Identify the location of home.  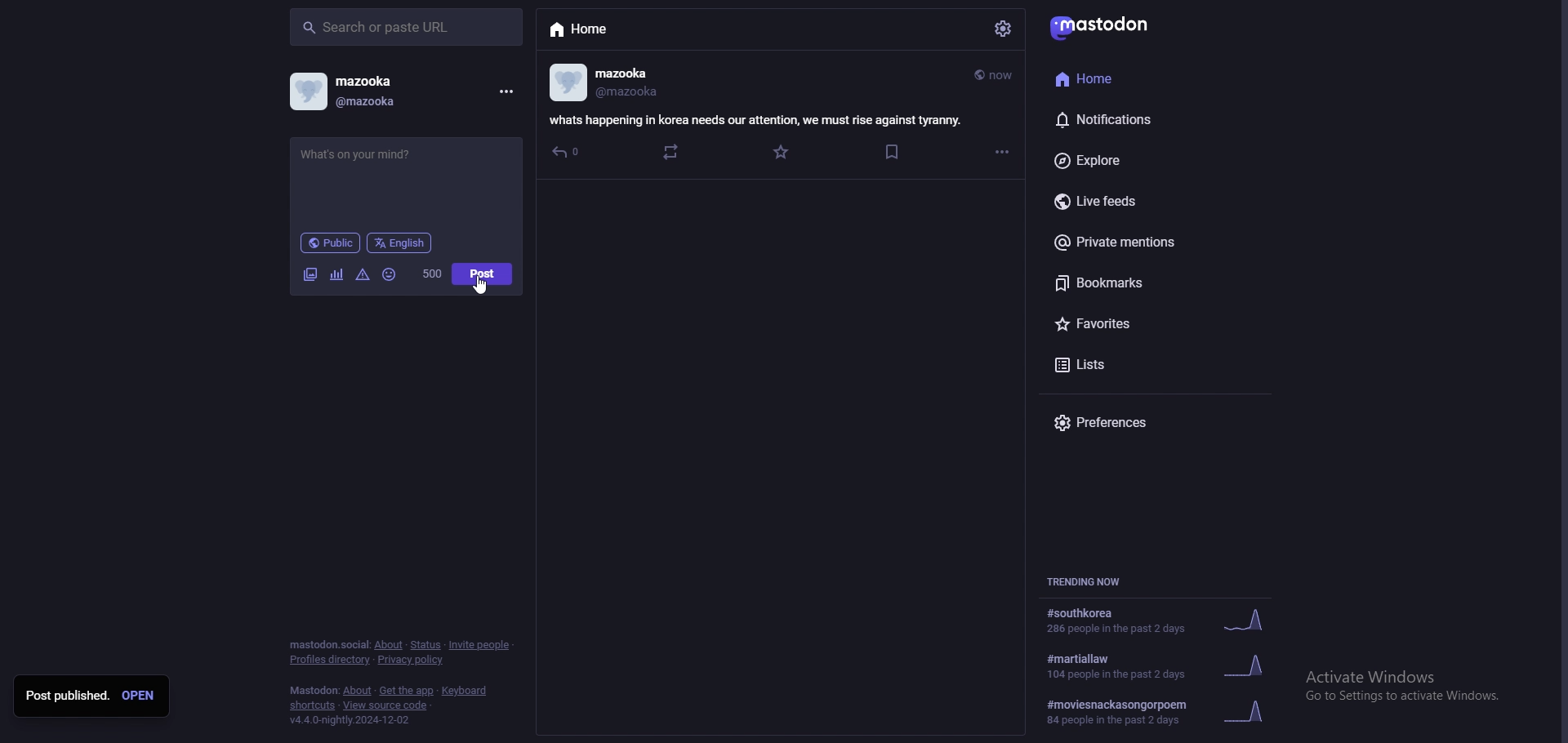
(613, 30).